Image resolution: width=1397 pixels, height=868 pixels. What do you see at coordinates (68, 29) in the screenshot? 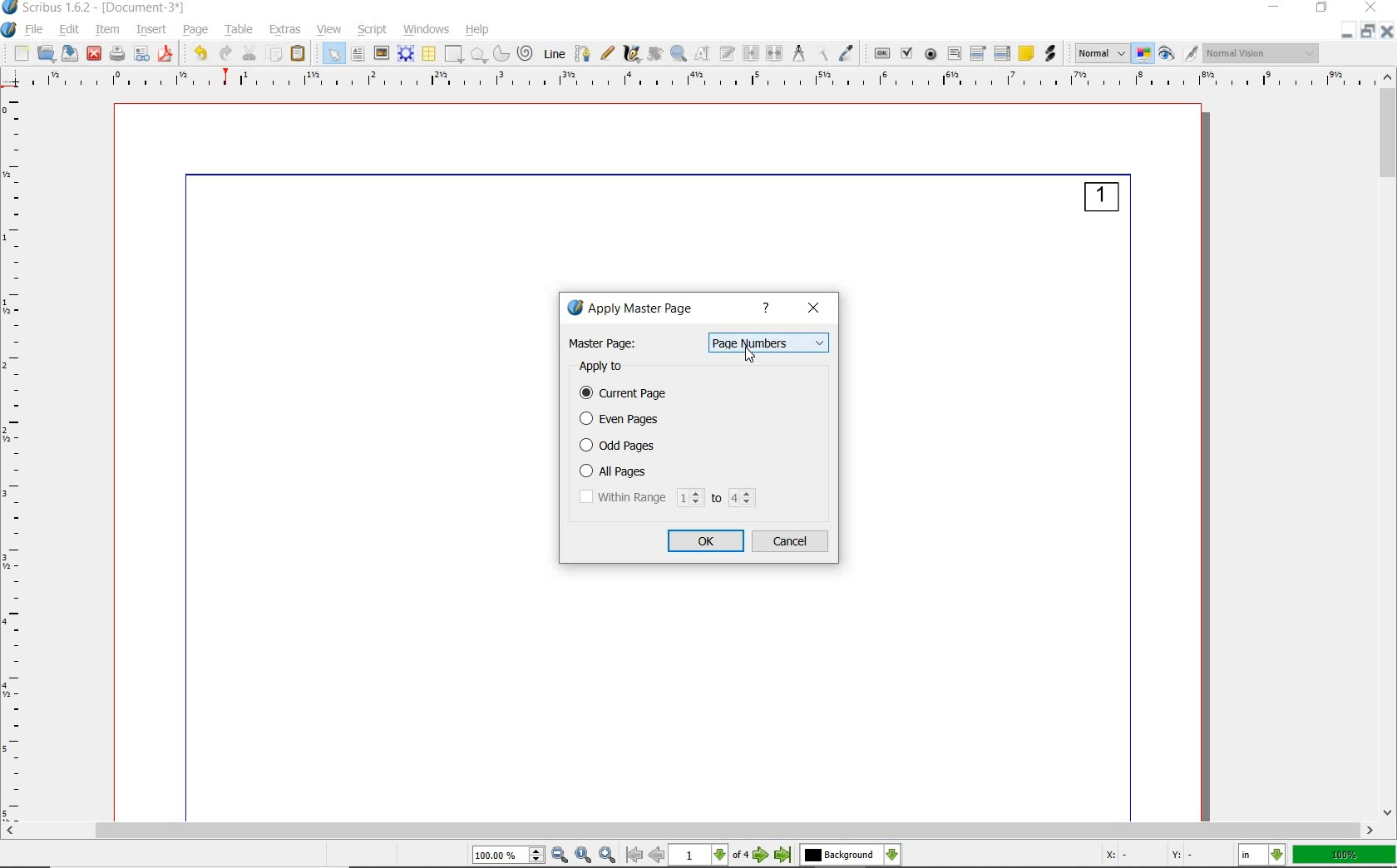
I see `edit` at bounding box center [68, 29].